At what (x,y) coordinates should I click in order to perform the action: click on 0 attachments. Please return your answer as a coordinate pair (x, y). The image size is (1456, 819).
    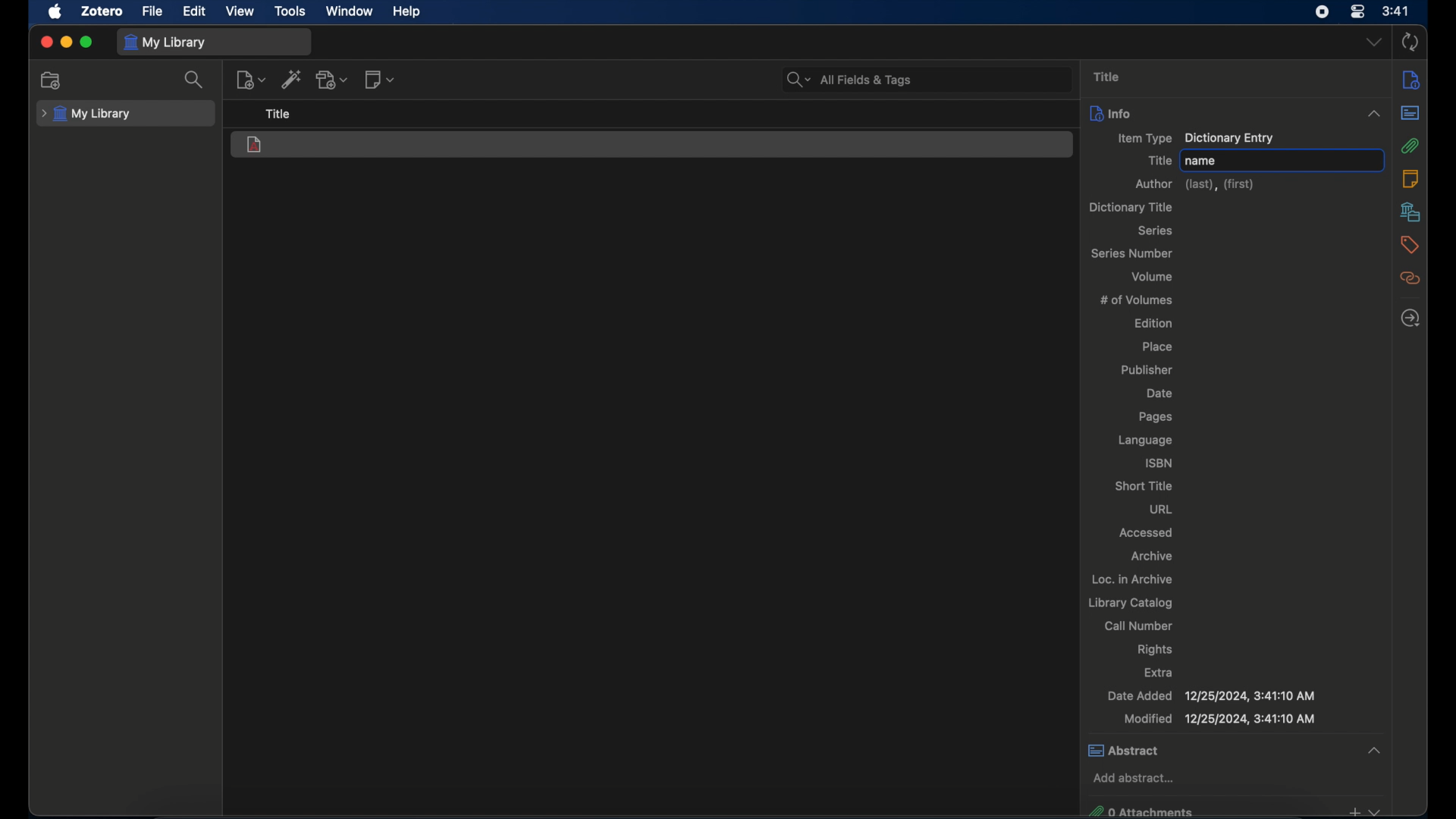
    Looking at the image, I should click on (1233, 810).